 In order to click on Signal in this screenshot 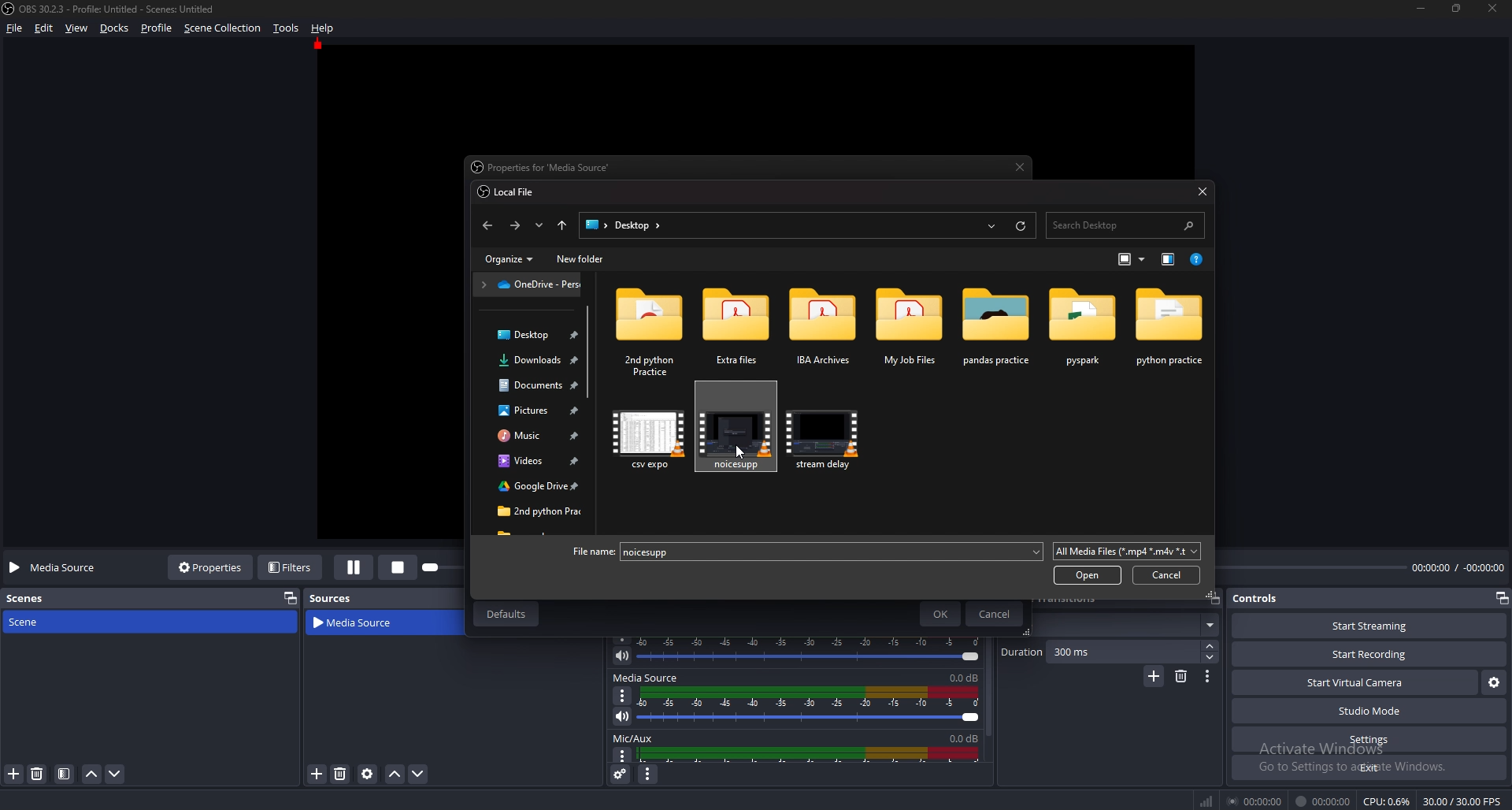, I will do `click(1206, 801)`.